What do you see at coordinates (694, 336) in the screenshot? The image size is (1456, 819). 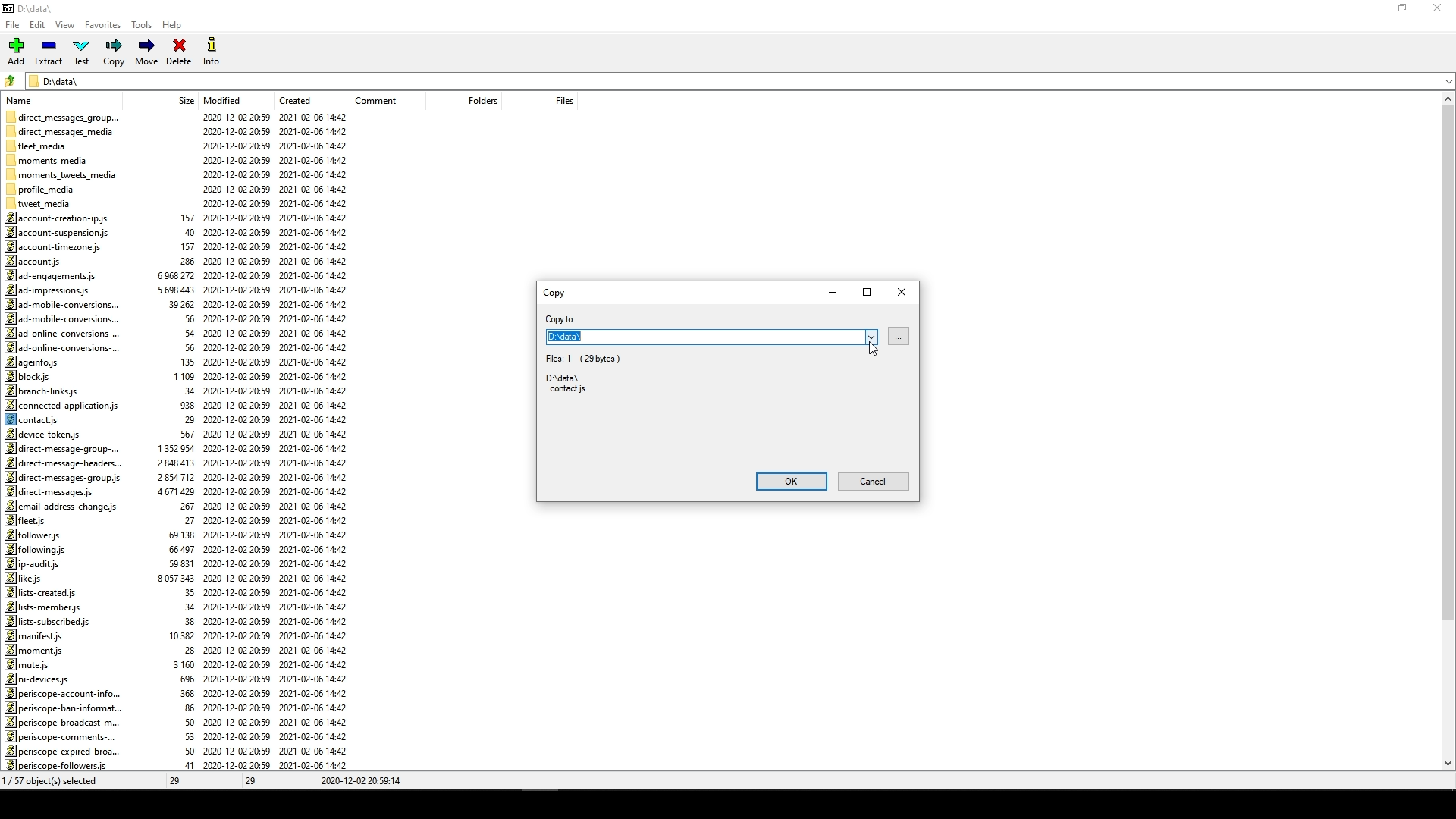 I see `D:\data\` at bounding box center [694, 336].